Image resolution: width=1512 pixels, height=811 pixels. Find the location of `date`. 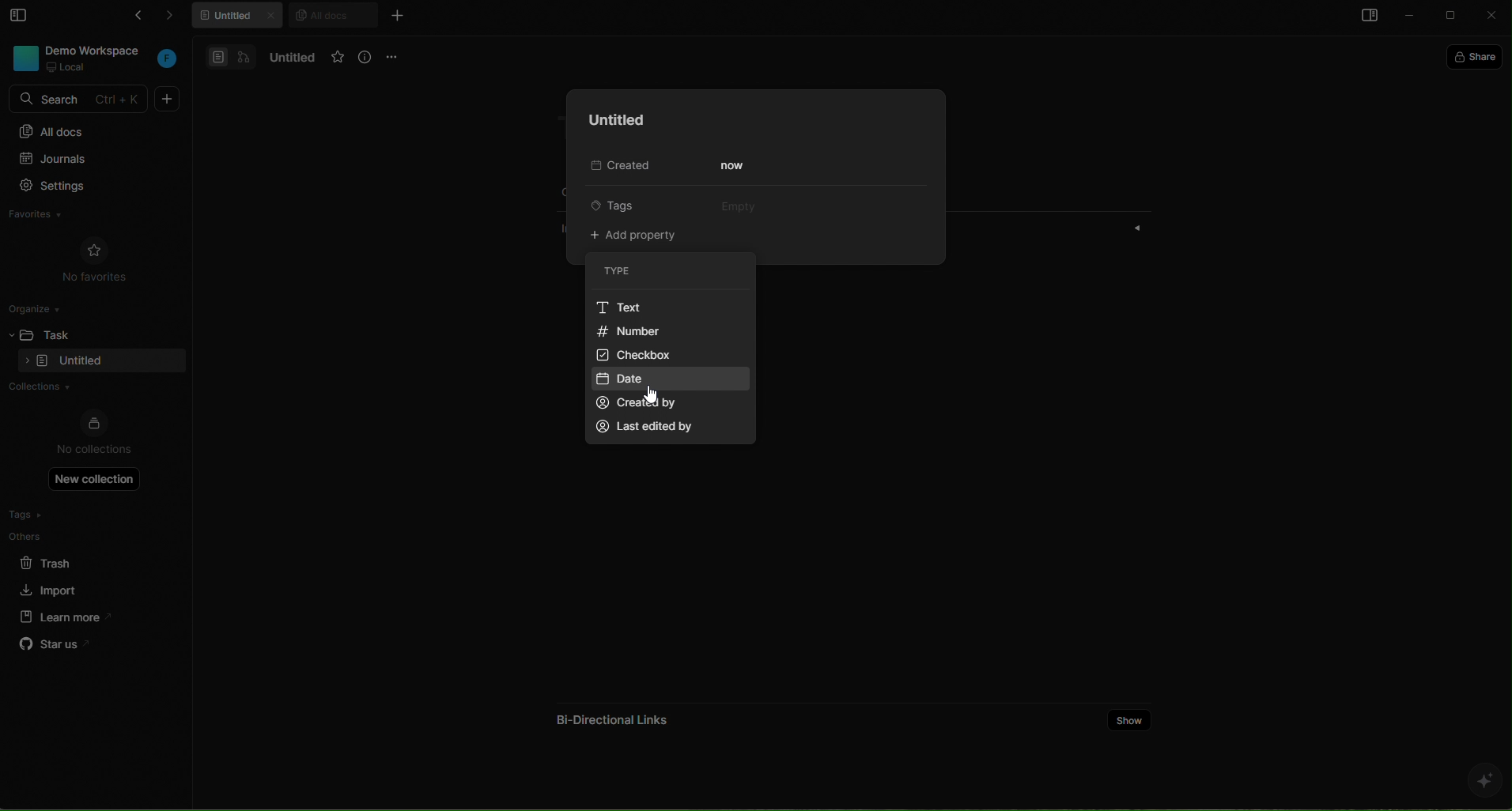

date is located at coordinates (642, 379).